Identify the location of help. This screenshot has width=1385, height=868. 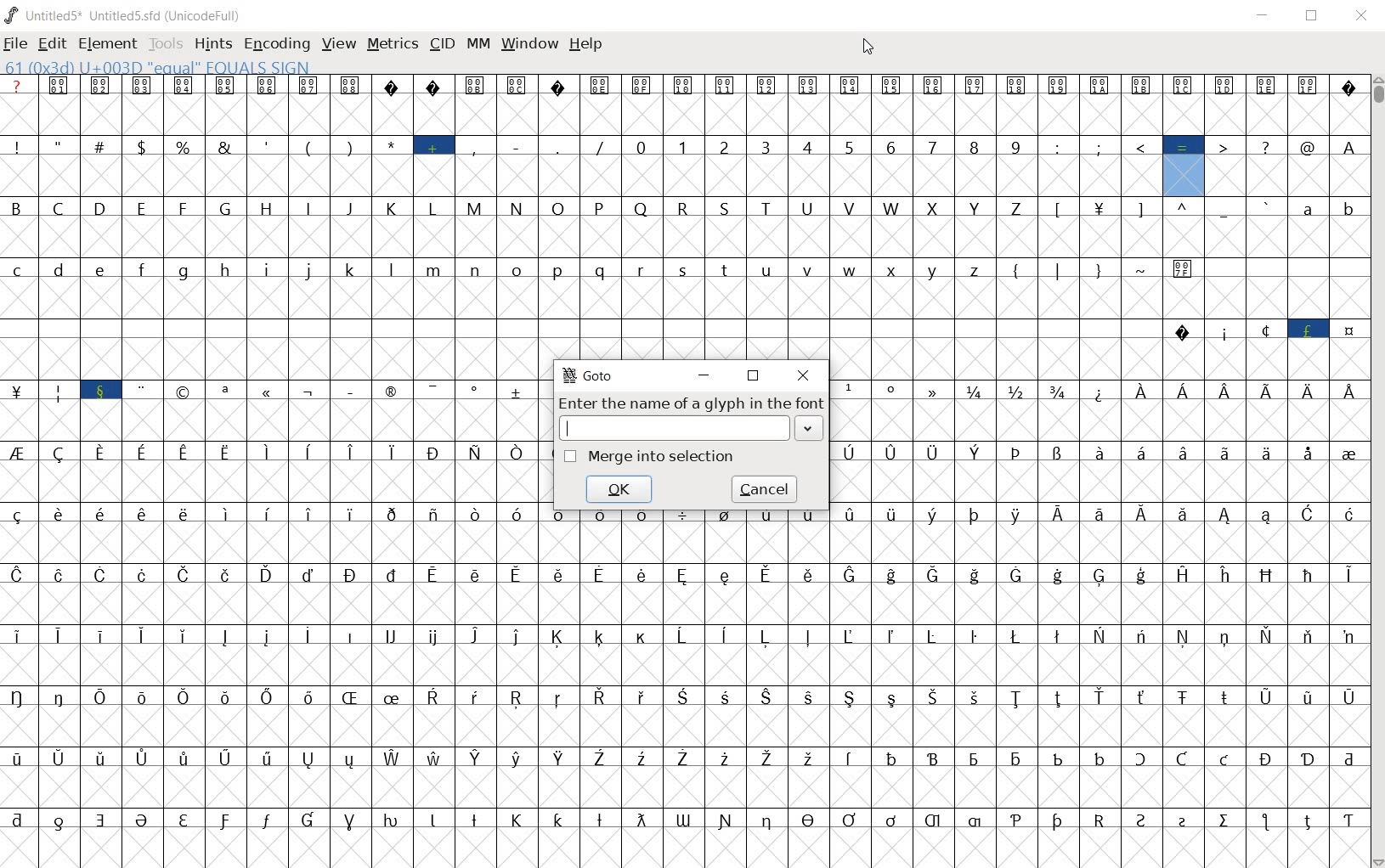
(585, 45).